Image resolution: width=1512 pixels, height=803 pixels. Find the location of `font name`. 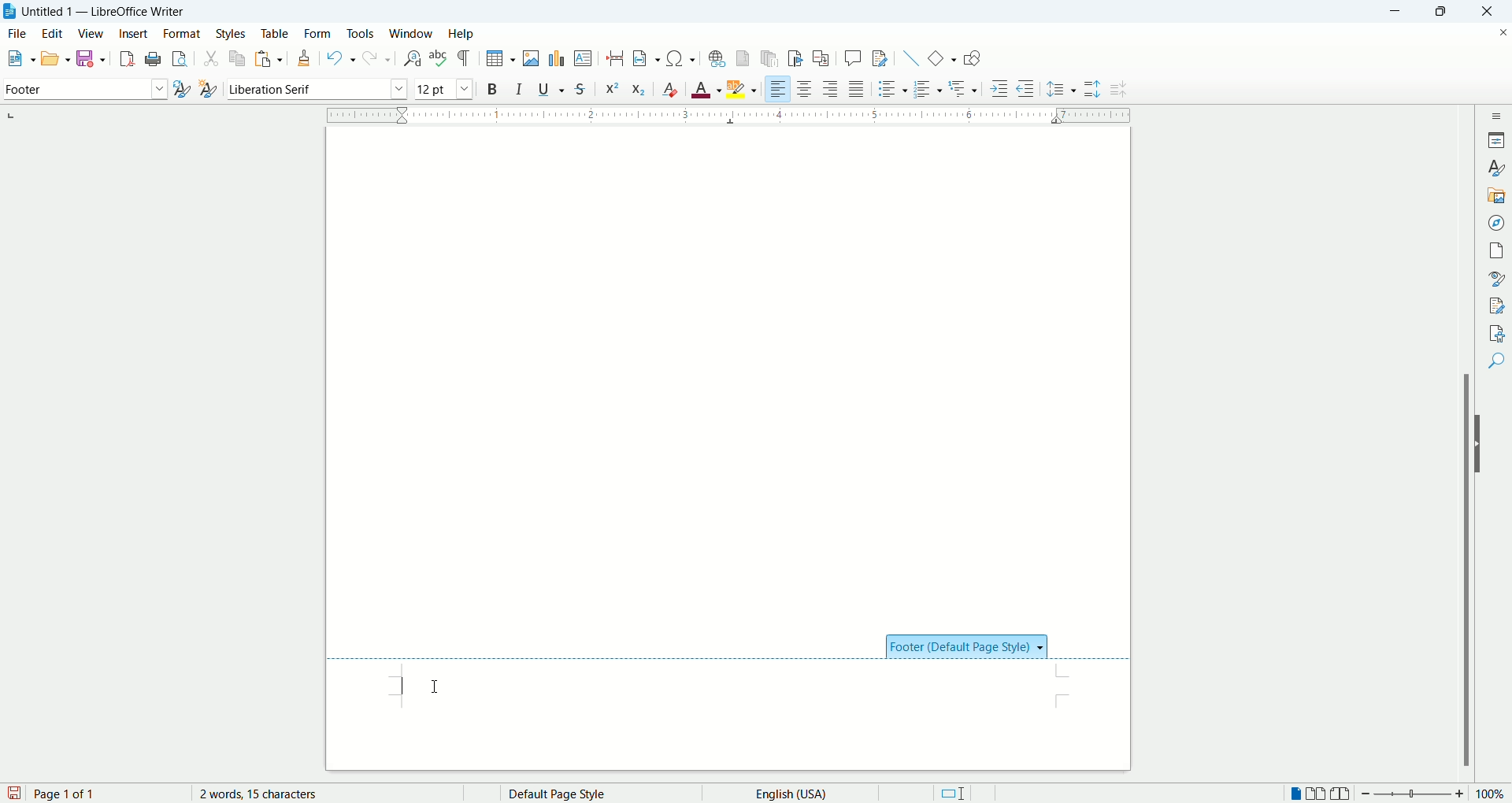

font name is located at coordinates (317, 89).